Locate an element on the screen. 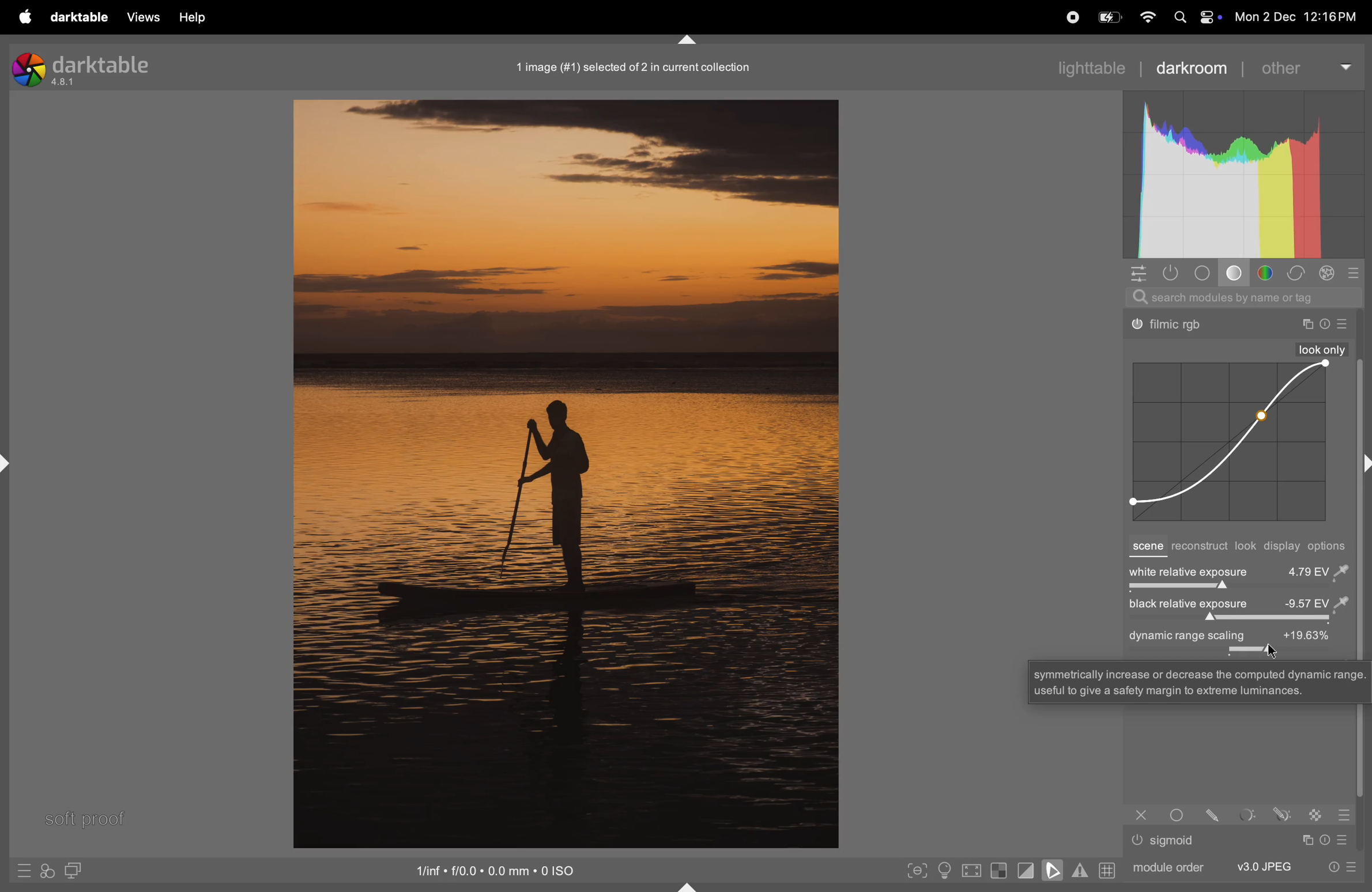 The height and width of the screenshot is (892, 1372). 1 image in current position is located at coordinates (630, 66).